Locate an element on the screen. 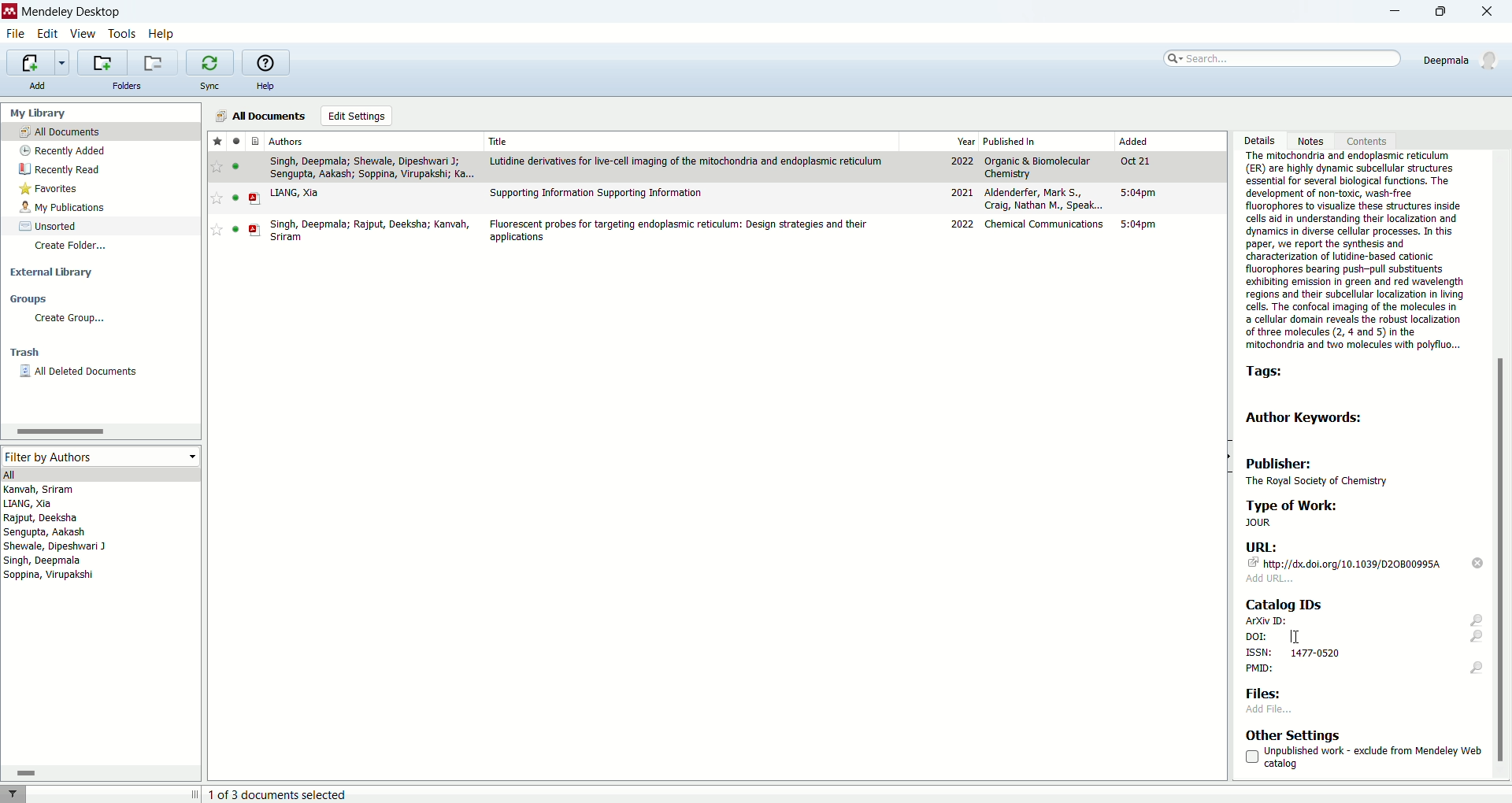 The width and height of the screenshot is (1512, 803). document type is located at coordinates (257, 140).